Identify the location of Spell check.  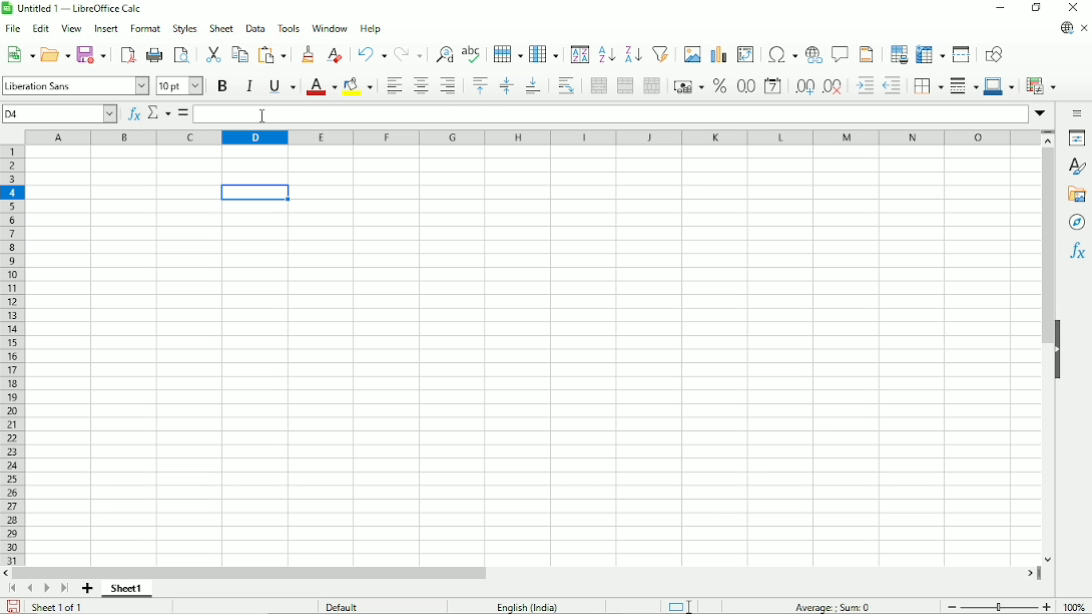
(472, 52).